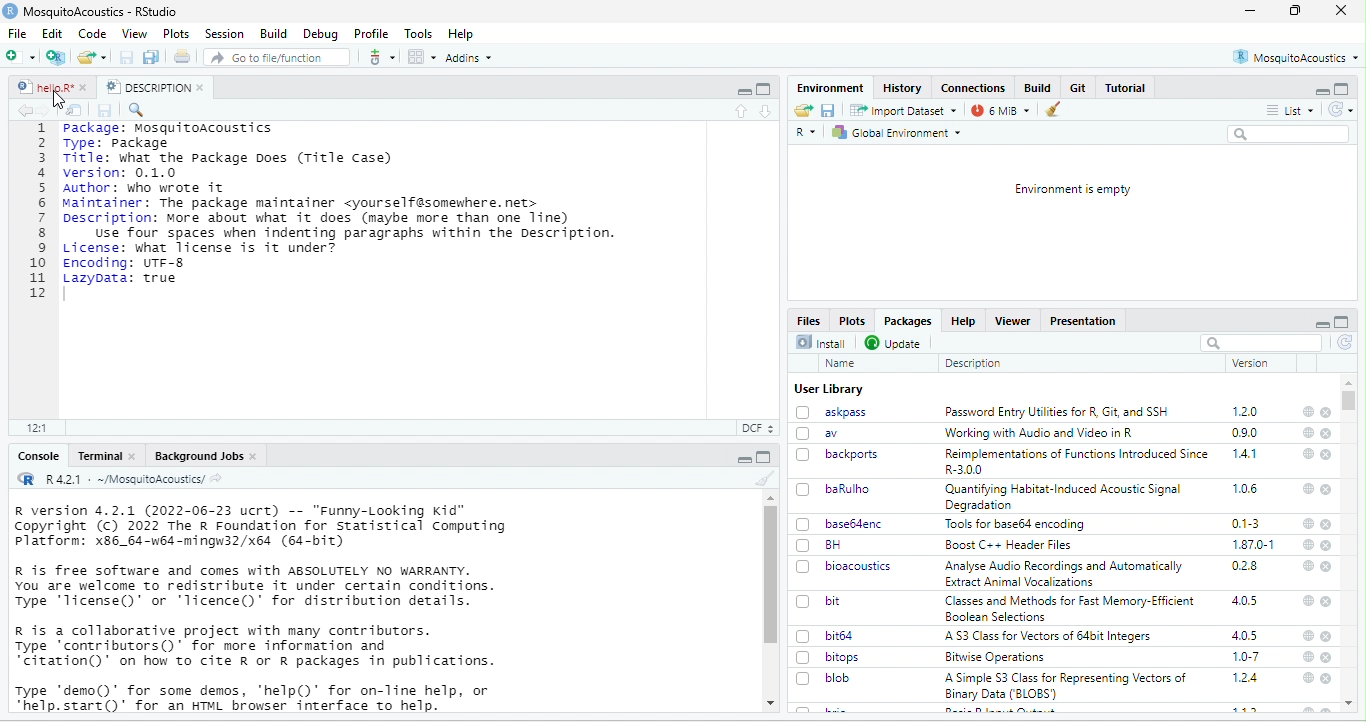 The image size is (1366, 722). What do you see at coordinates (832, 488) in the screenshot?
I see `baRulho` at bounding box center [832, 488].